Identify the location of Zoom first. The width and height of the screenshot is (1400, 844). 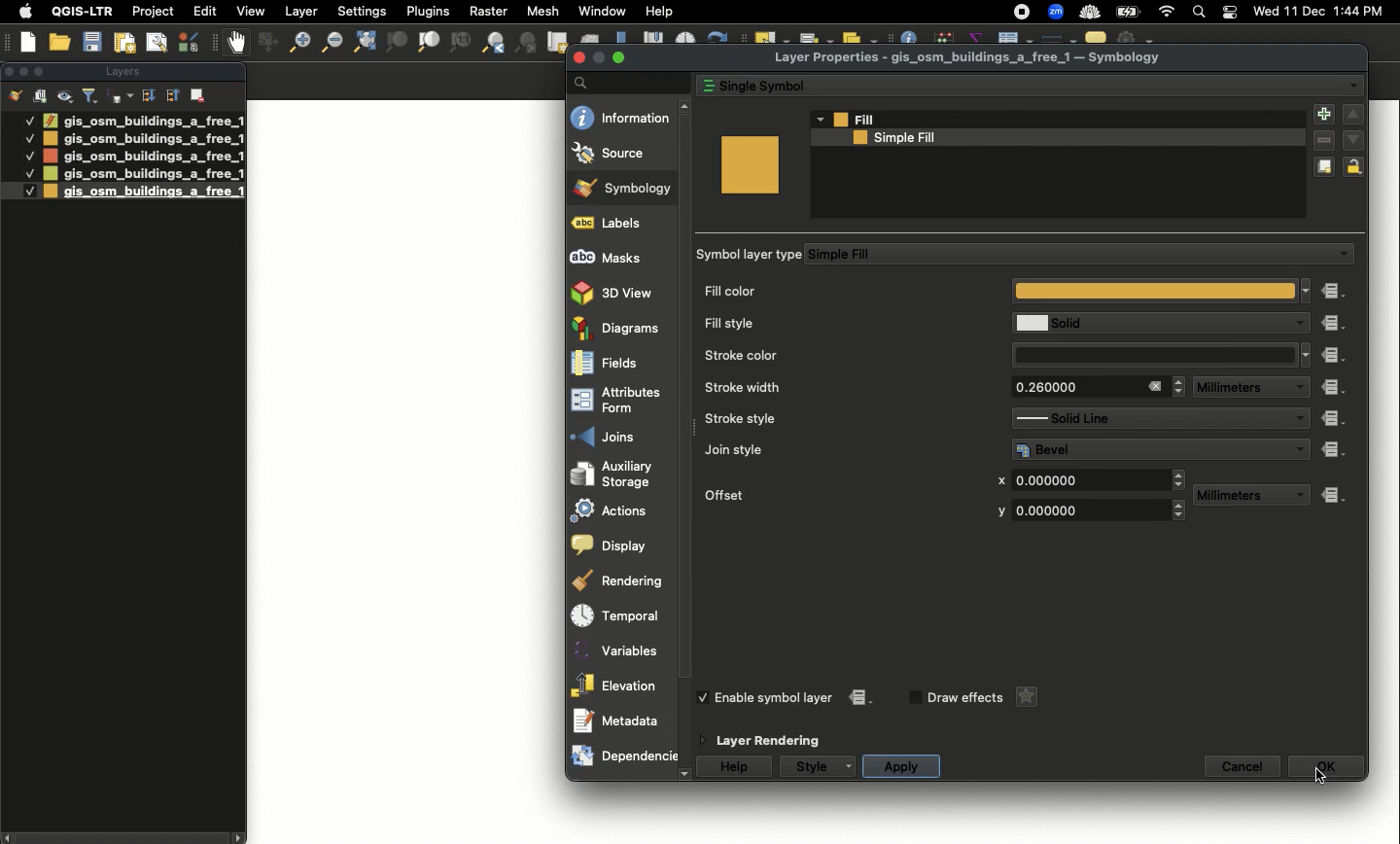
(527, 44).